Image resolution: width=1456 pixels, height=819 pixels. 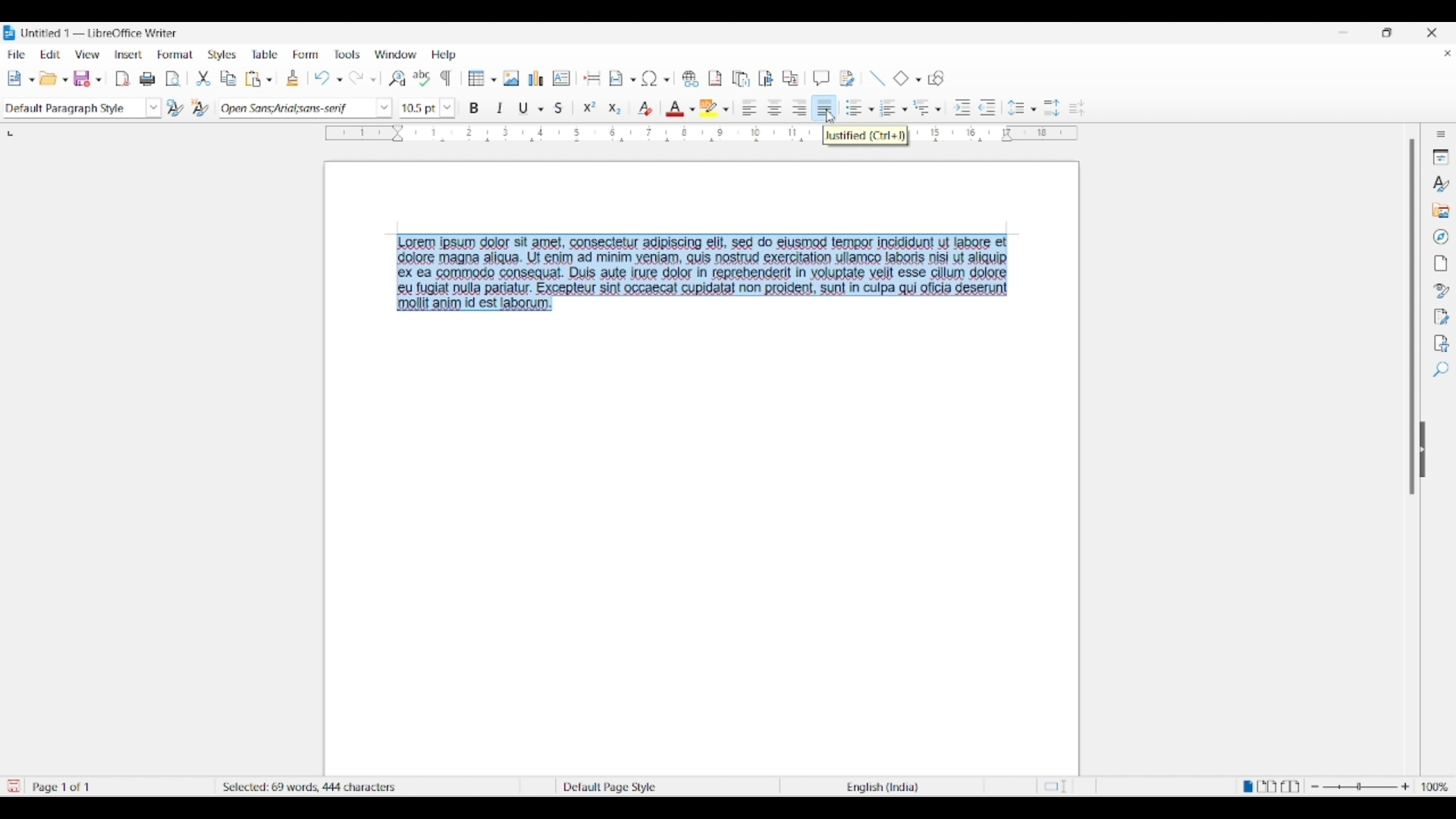 I want to click on Paragraph style options, so click(x=154, y=108).